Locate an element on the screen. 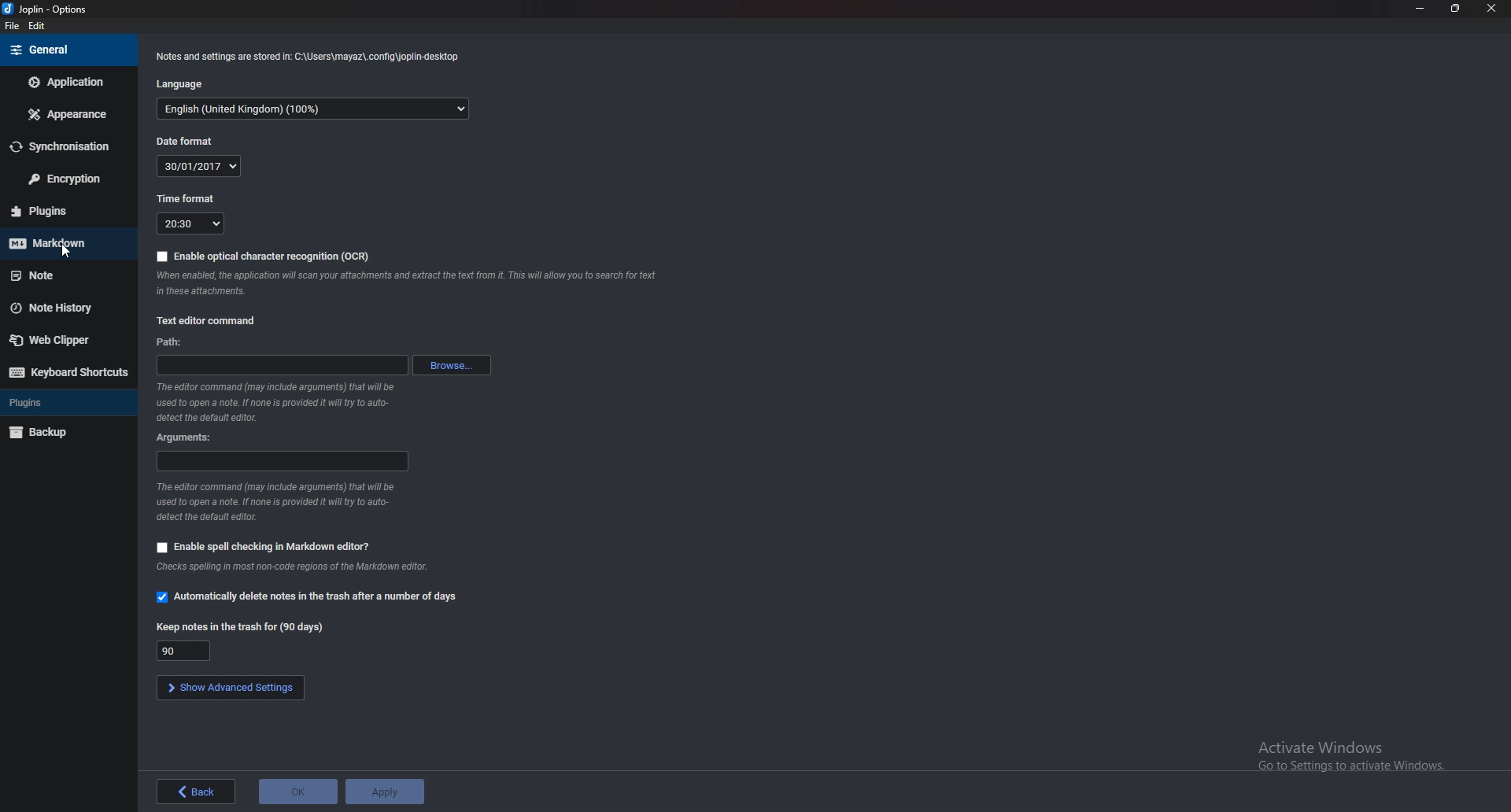 Image resolution: width=1511 pixels, height=812 pixels. Appearance is located at coordinates (67, 115).